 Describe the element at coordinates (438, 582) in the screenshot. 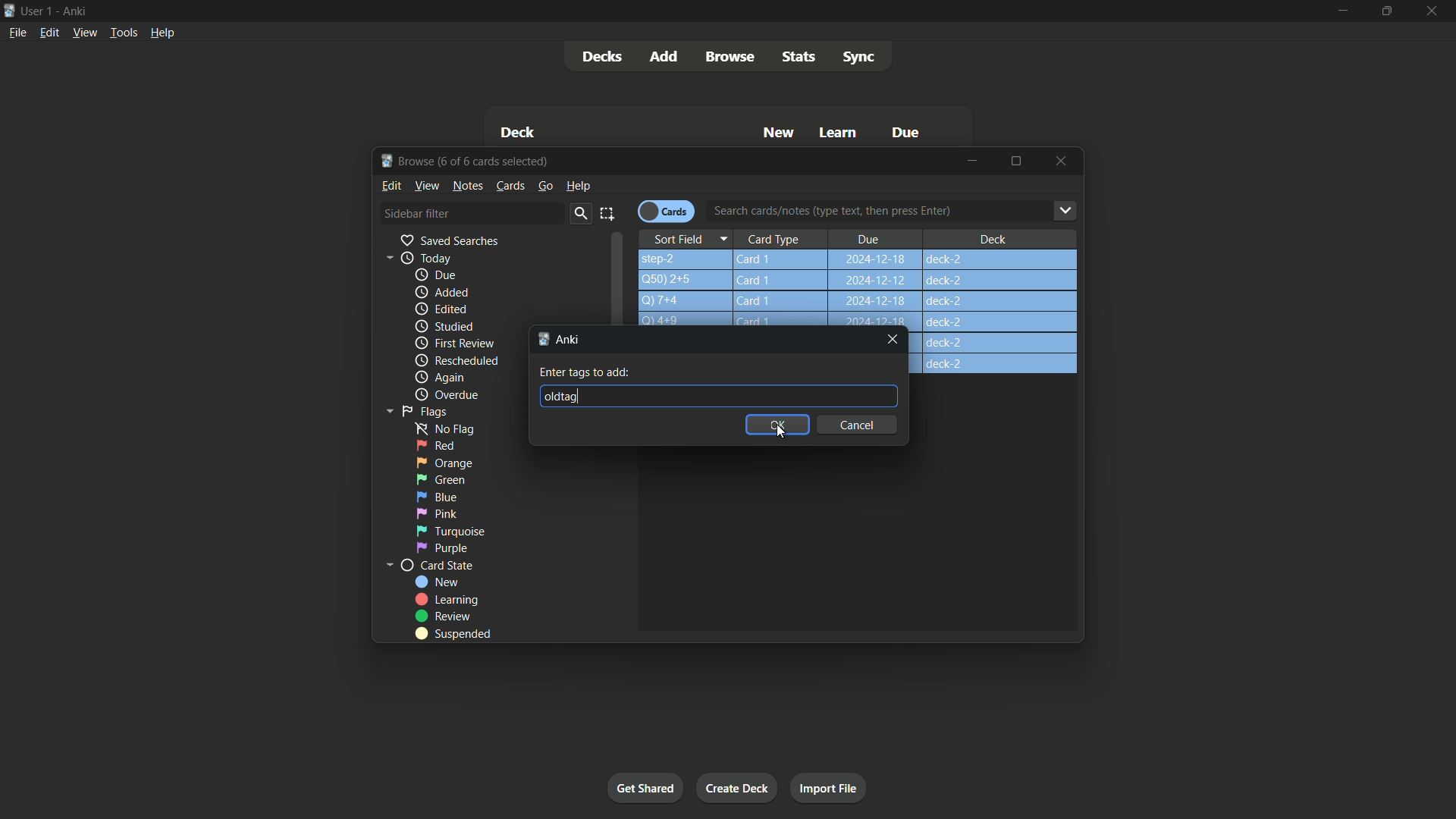

I see `new` at that location.